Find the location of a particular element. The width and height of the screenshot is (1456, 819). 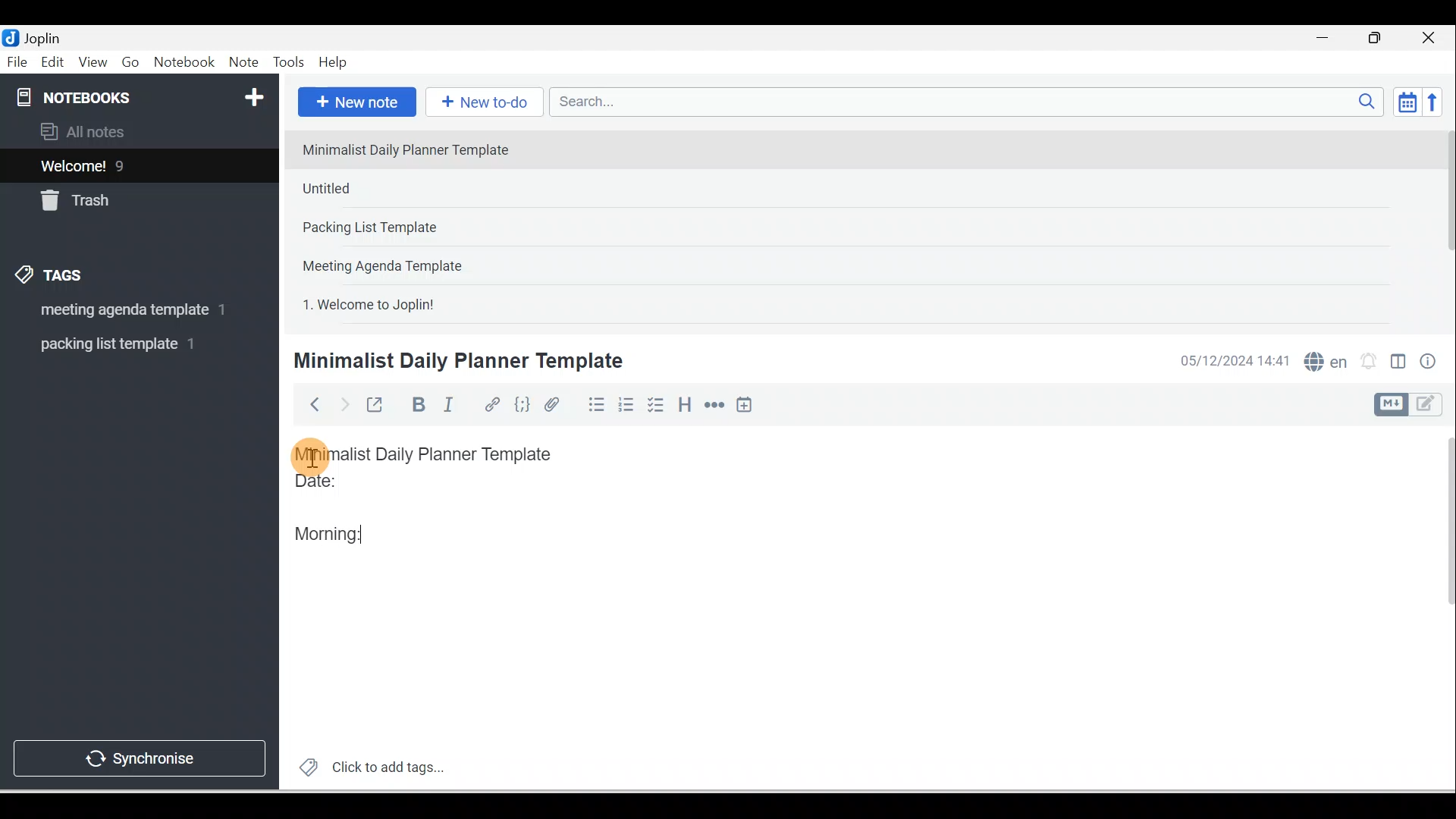

Edit is located at coordinates (54, 63).